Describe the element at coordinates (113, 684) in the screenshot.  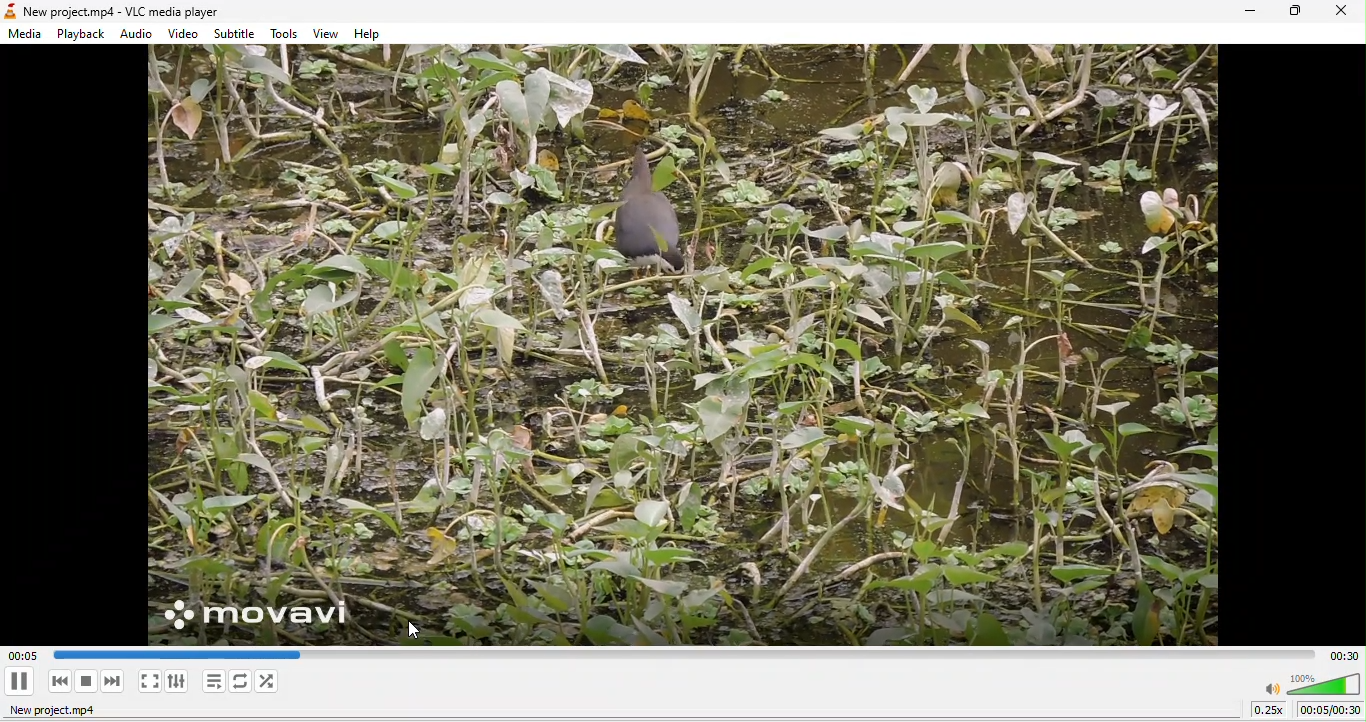
I see `next media` at that location.